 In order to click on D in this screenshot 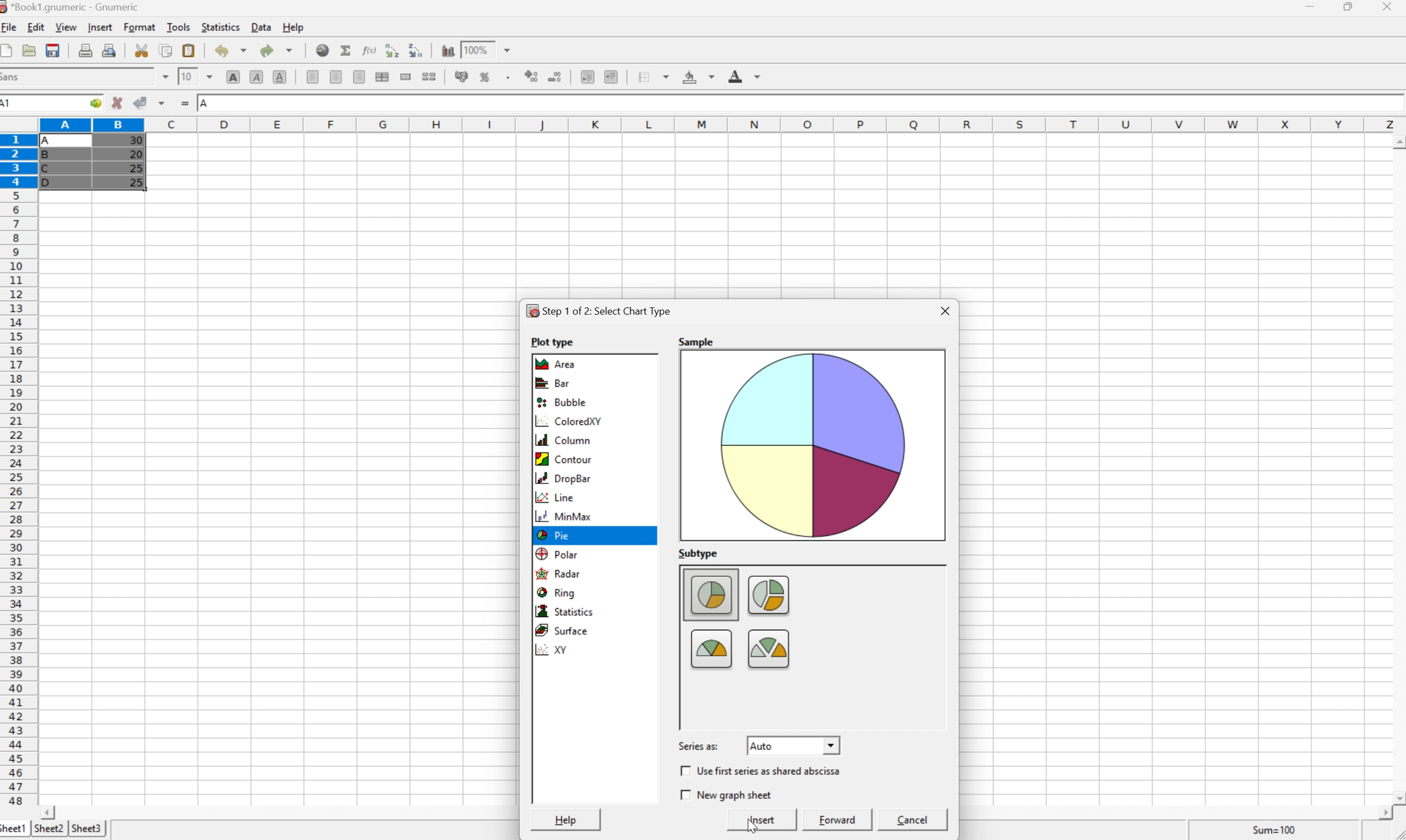, I will do `click(50, 182)`.